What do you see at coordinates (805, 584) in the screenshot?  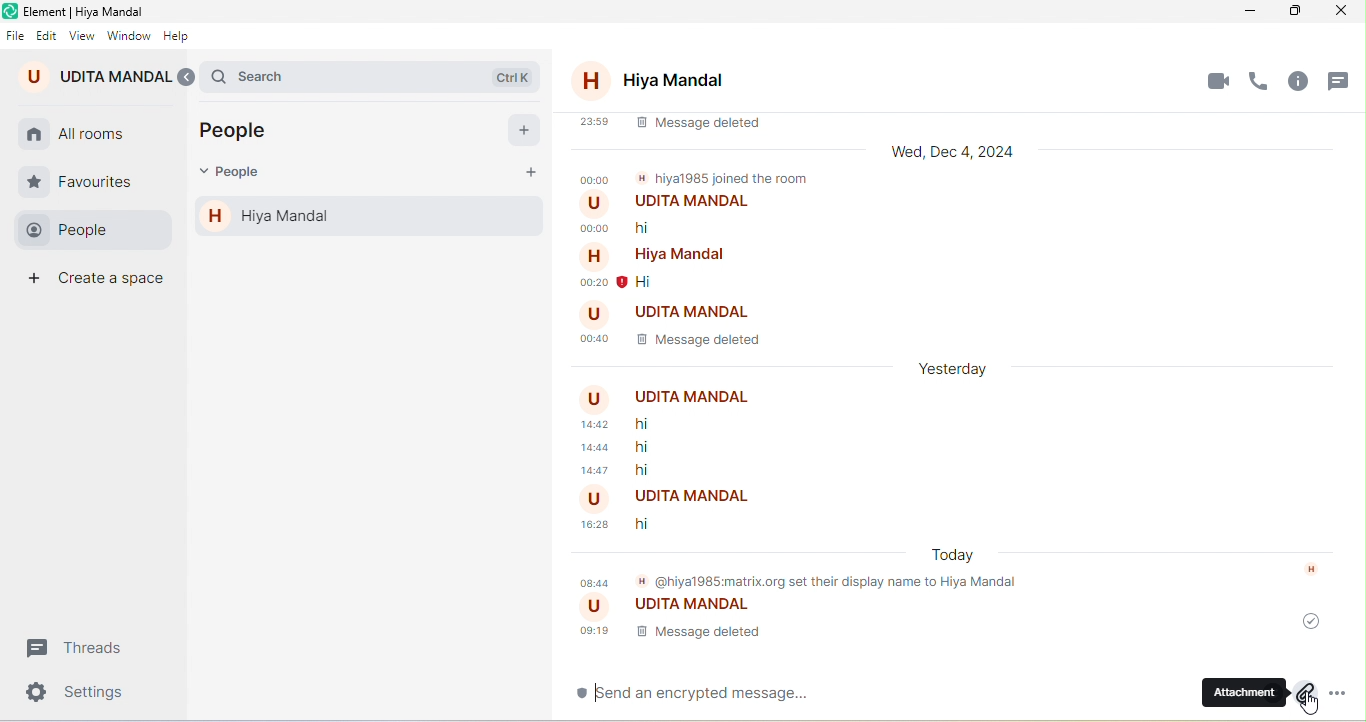 I see `@hiya1985matrix.org set their display name to hiya mandal` at bounding box center [805, 584].